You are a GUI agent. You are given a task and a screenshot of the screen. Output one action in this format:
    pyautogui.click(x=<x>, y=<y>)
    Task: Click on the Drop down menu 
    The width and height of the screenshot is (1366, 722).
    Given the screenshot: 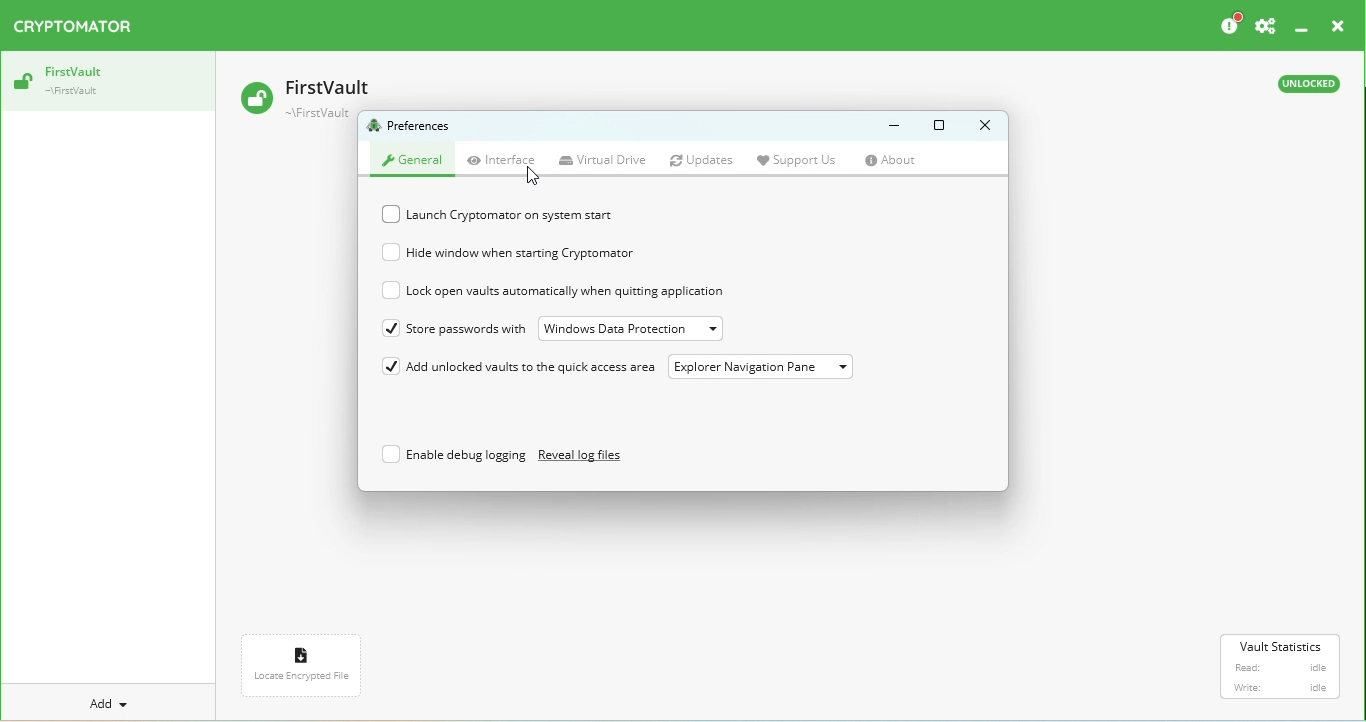 What is the action you would take?
    pyautogui.click(x=638, y=328)
    